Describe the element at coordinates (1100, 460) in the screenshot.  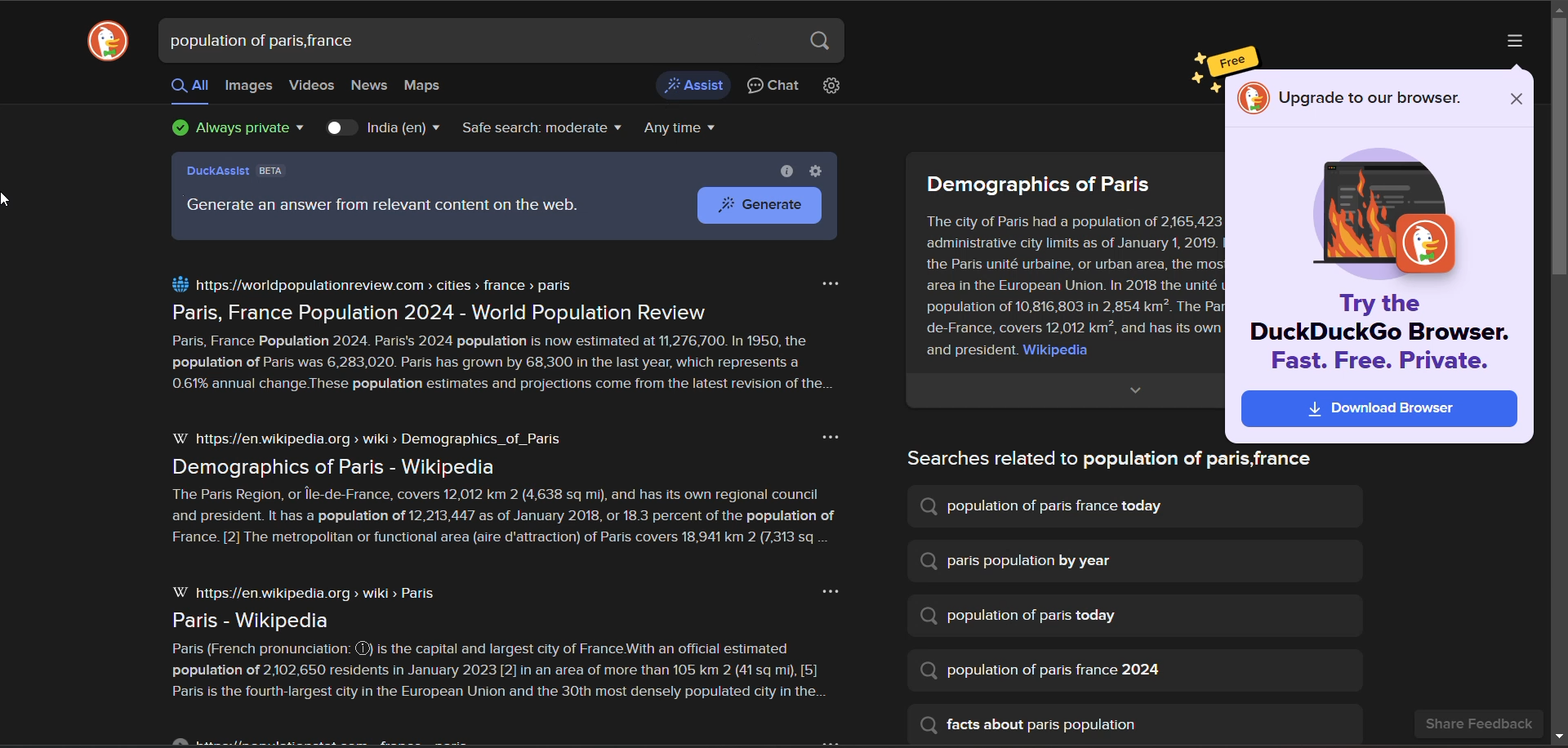
I see `Searches related to population of paris,france` at that location.